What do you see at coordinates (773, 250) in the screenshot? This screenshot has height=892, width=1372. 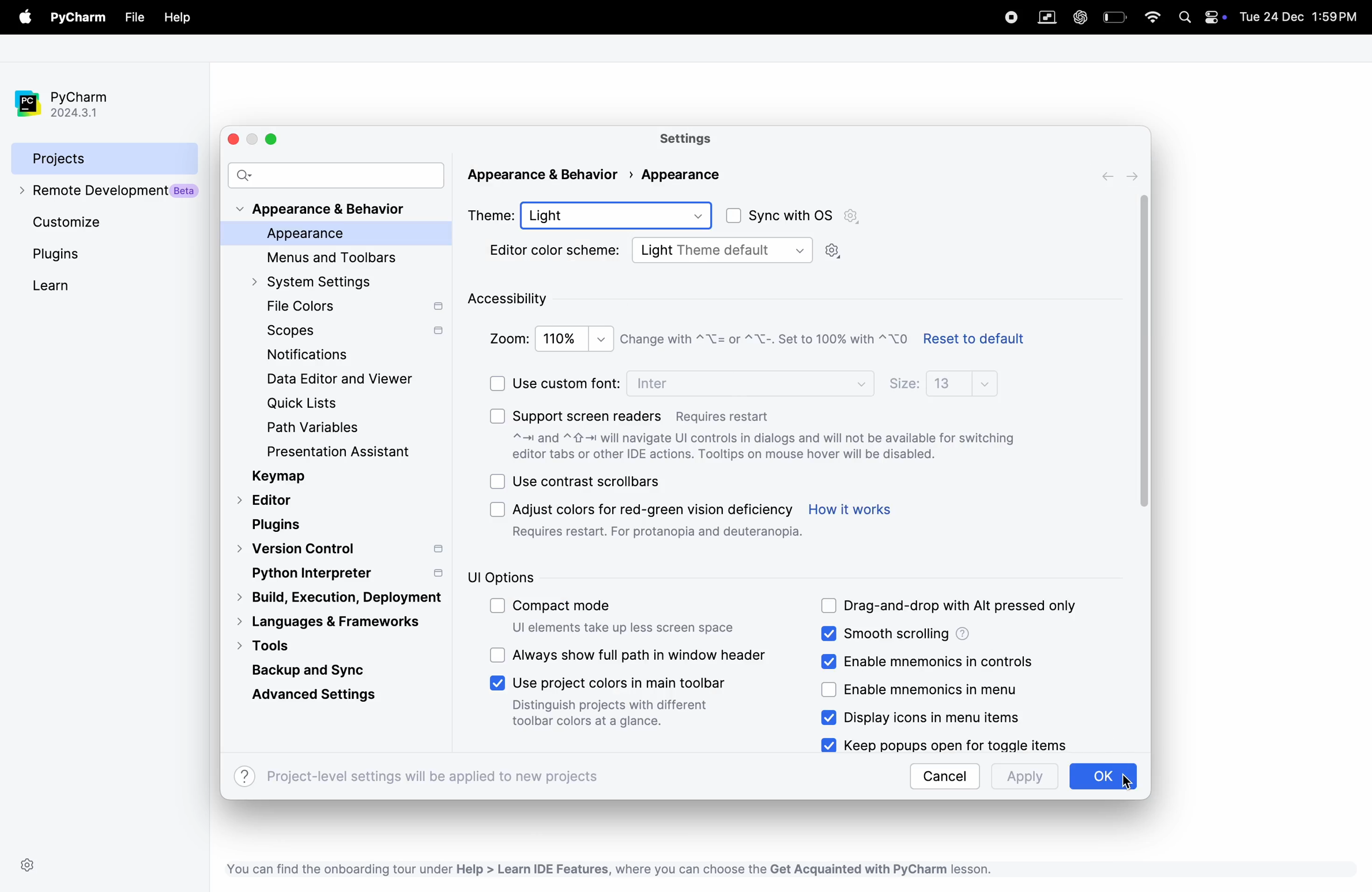 I see `Theme default` at bounding box center [773, 250].